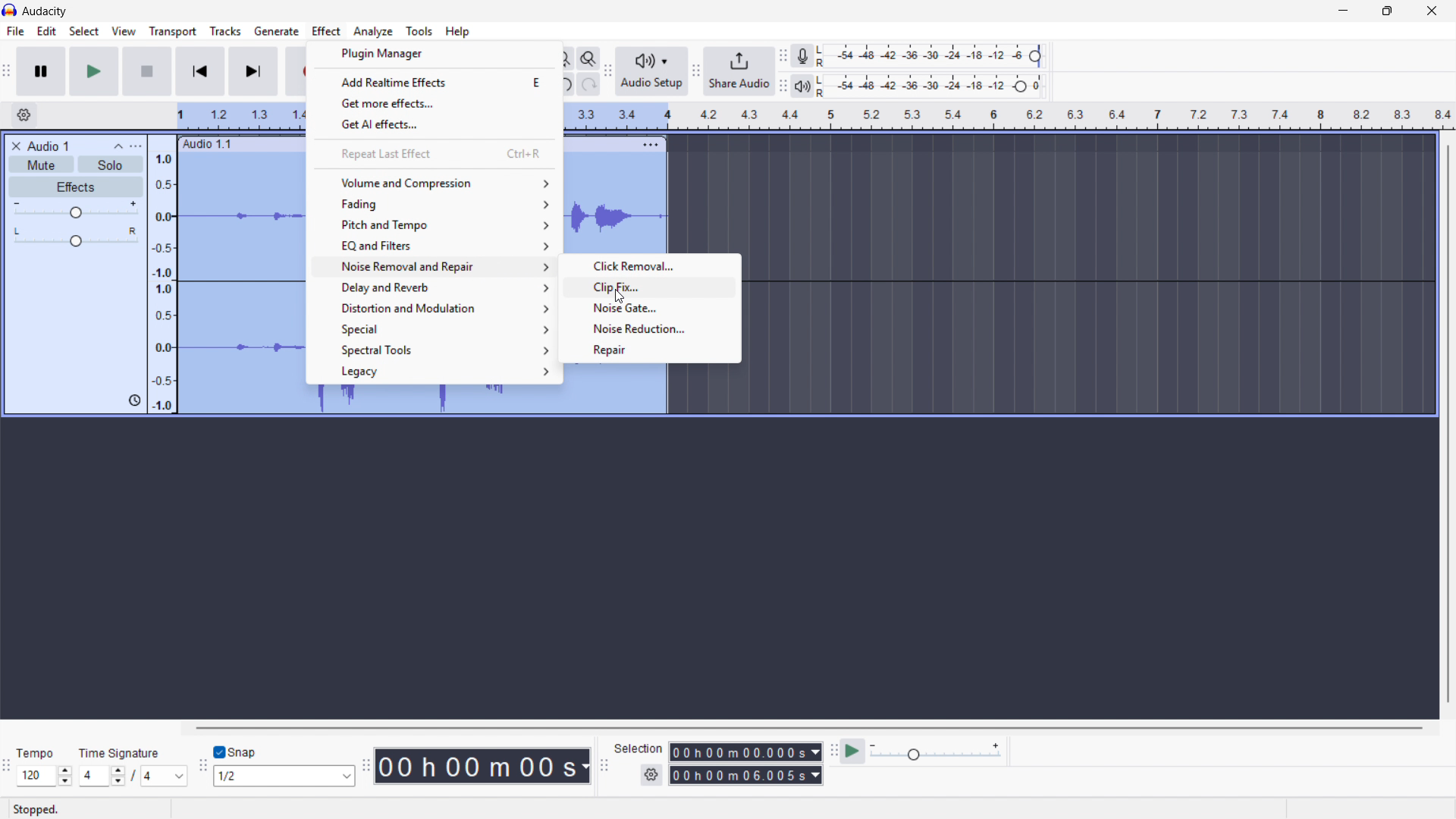 This screenshot has height=819, width=1456. I want to click on Track title, so click(49, 146).